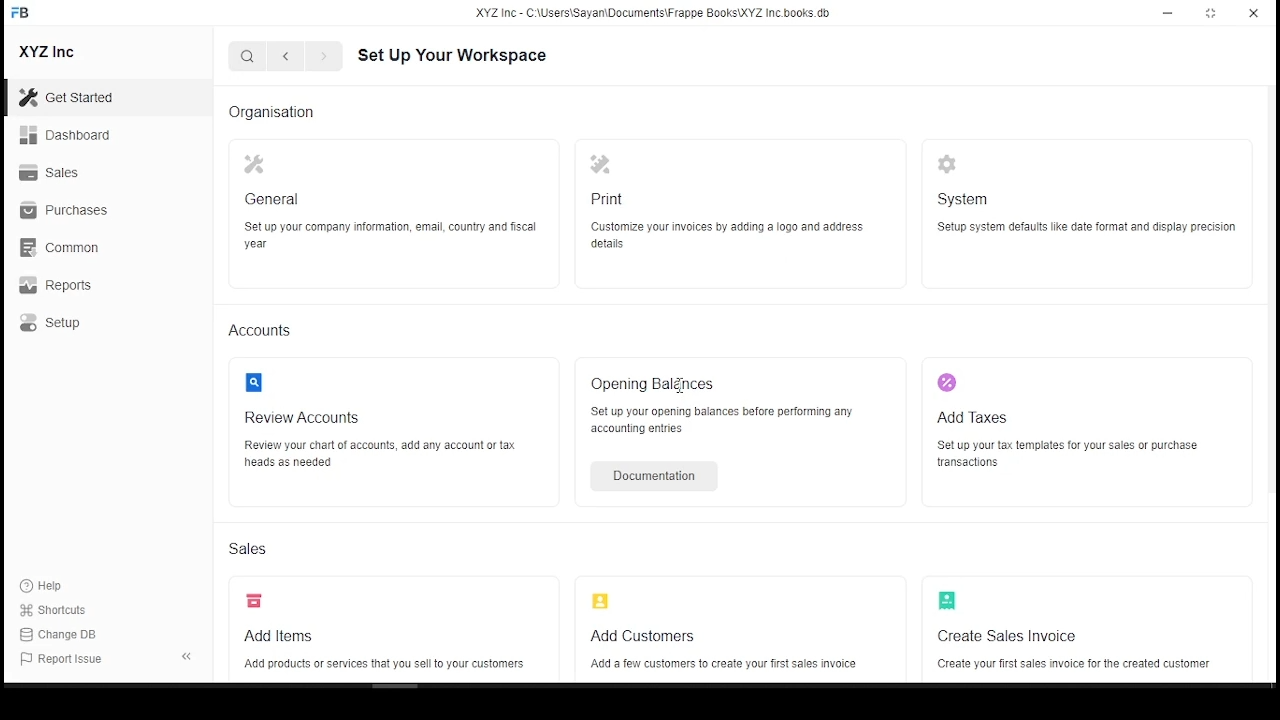 The image size is (1280, 720). I want to click on accounts, so click(271, 330).